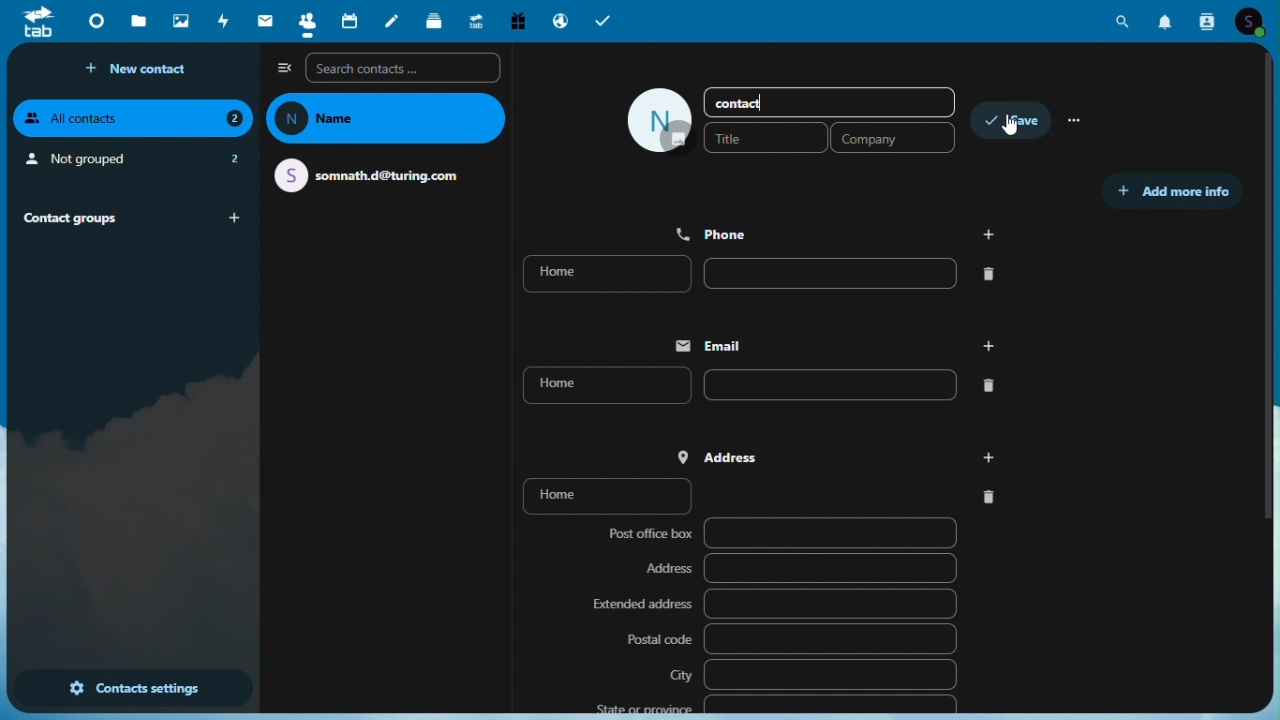 The width and height of the screenshot is (1280, 720). I want to click on Notification, so click(1166, 24).